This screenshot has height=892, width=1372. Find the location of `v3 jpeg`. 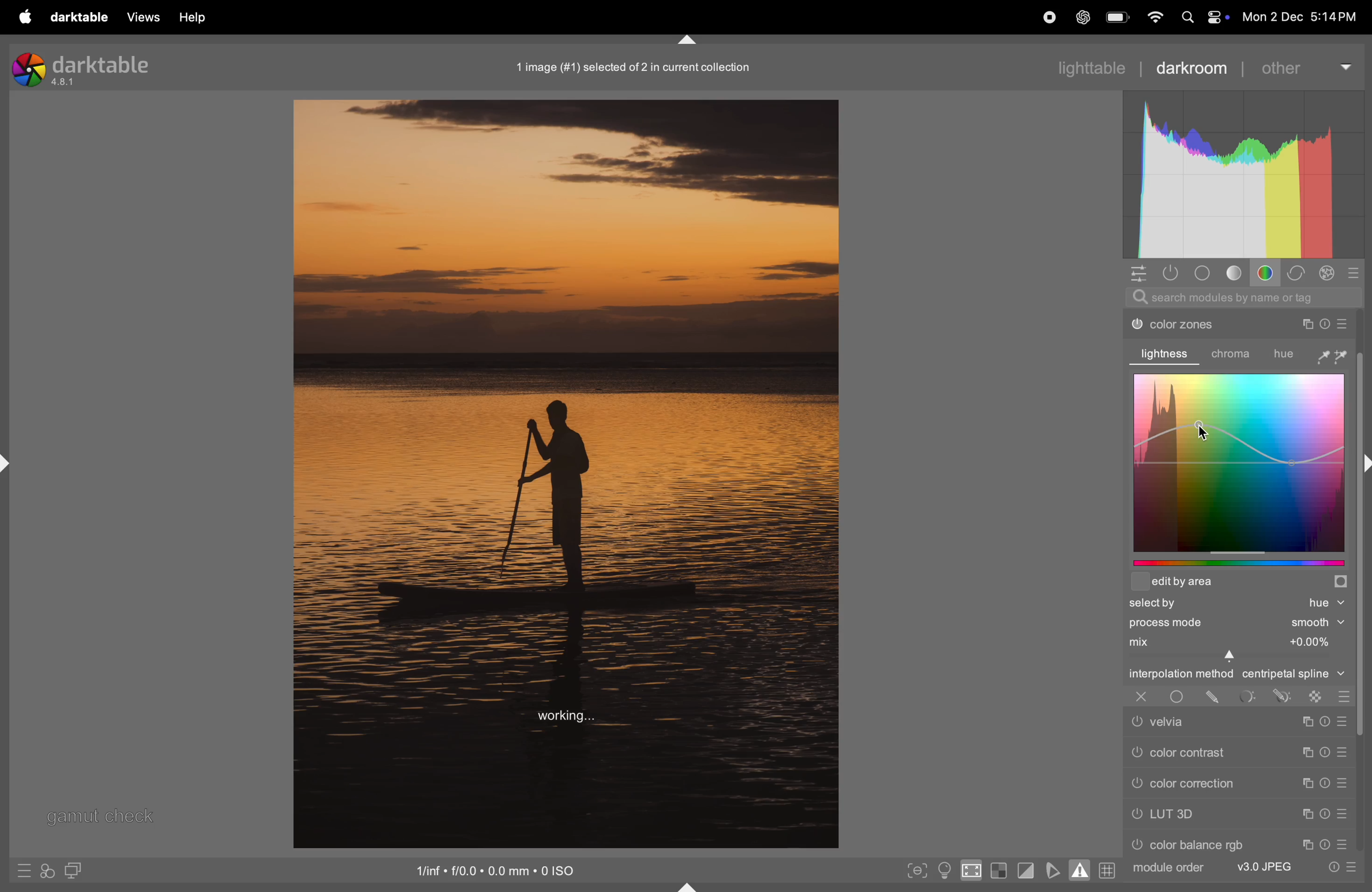

v3 jpeg is located at coordinates (1257, 870).